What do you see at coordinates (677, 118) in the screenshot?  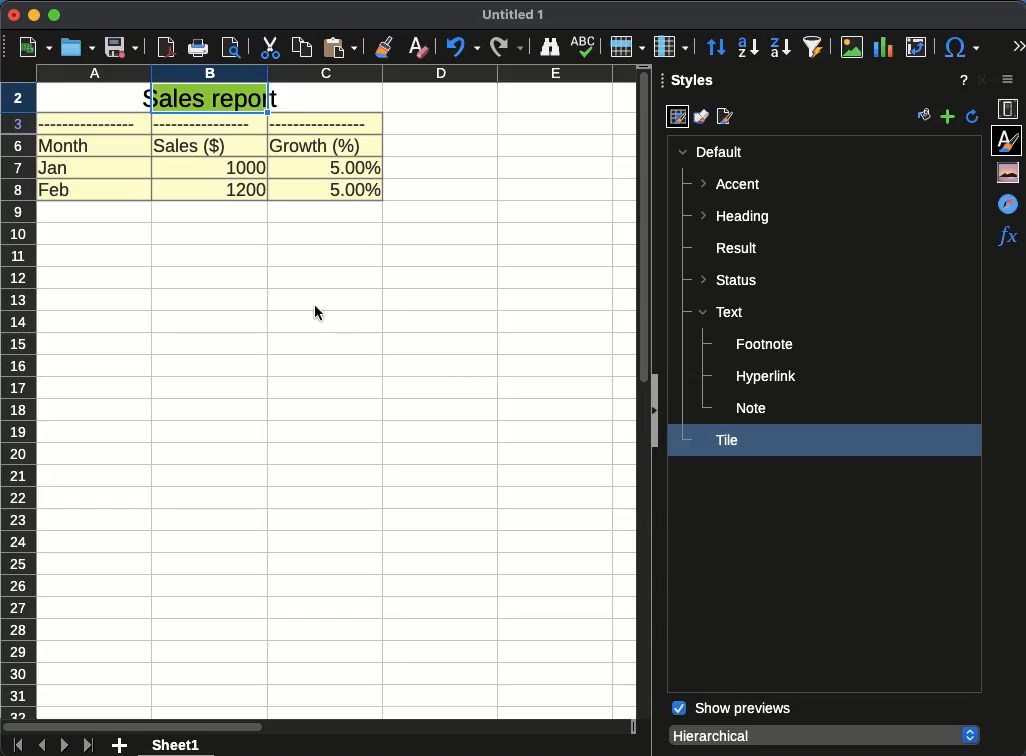 I see `cell styles` at bounding box center [677, 118].